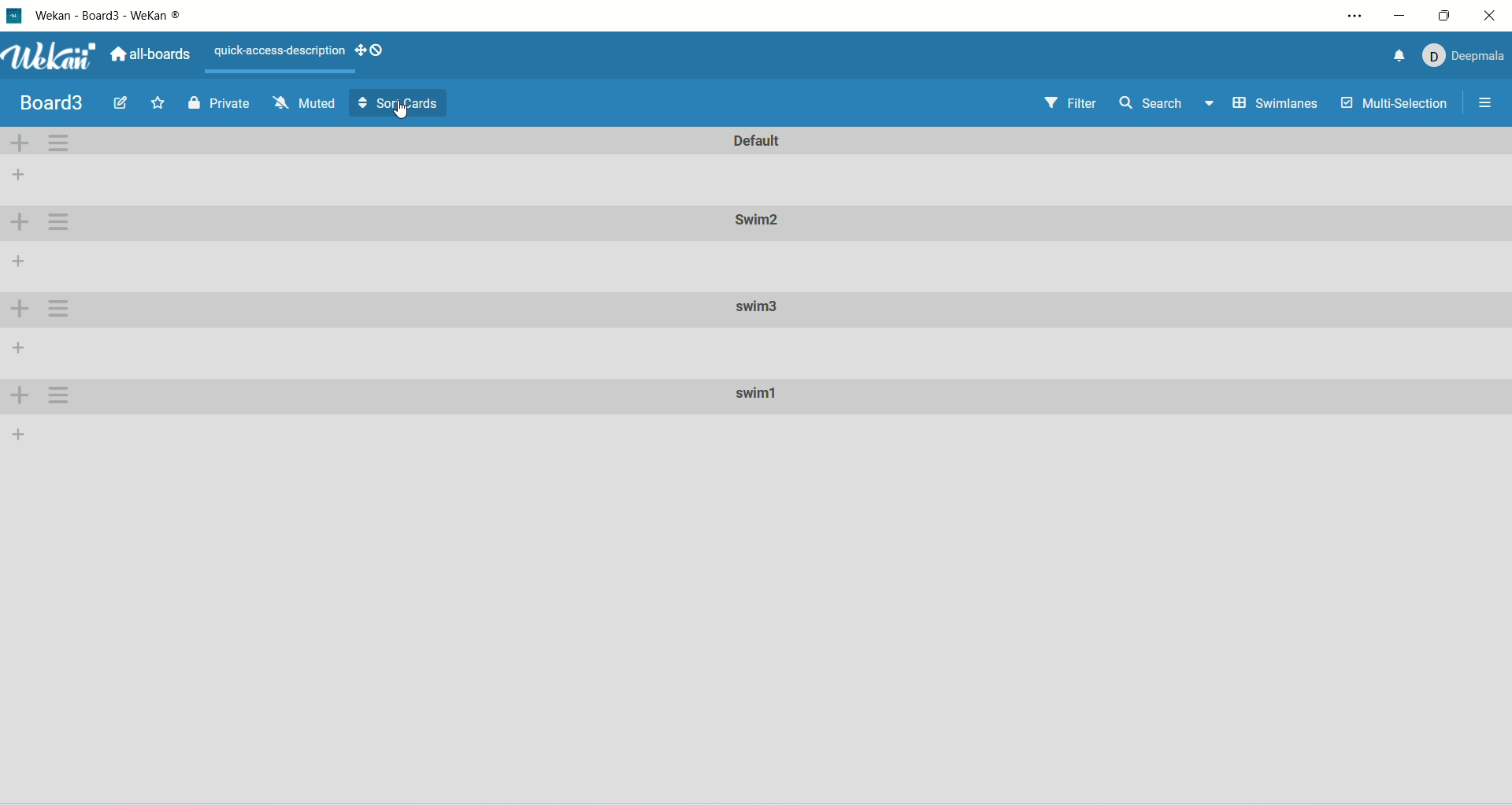  Describe the element at coordinates (278, 48) in the screenshot. I see `text` at that location.